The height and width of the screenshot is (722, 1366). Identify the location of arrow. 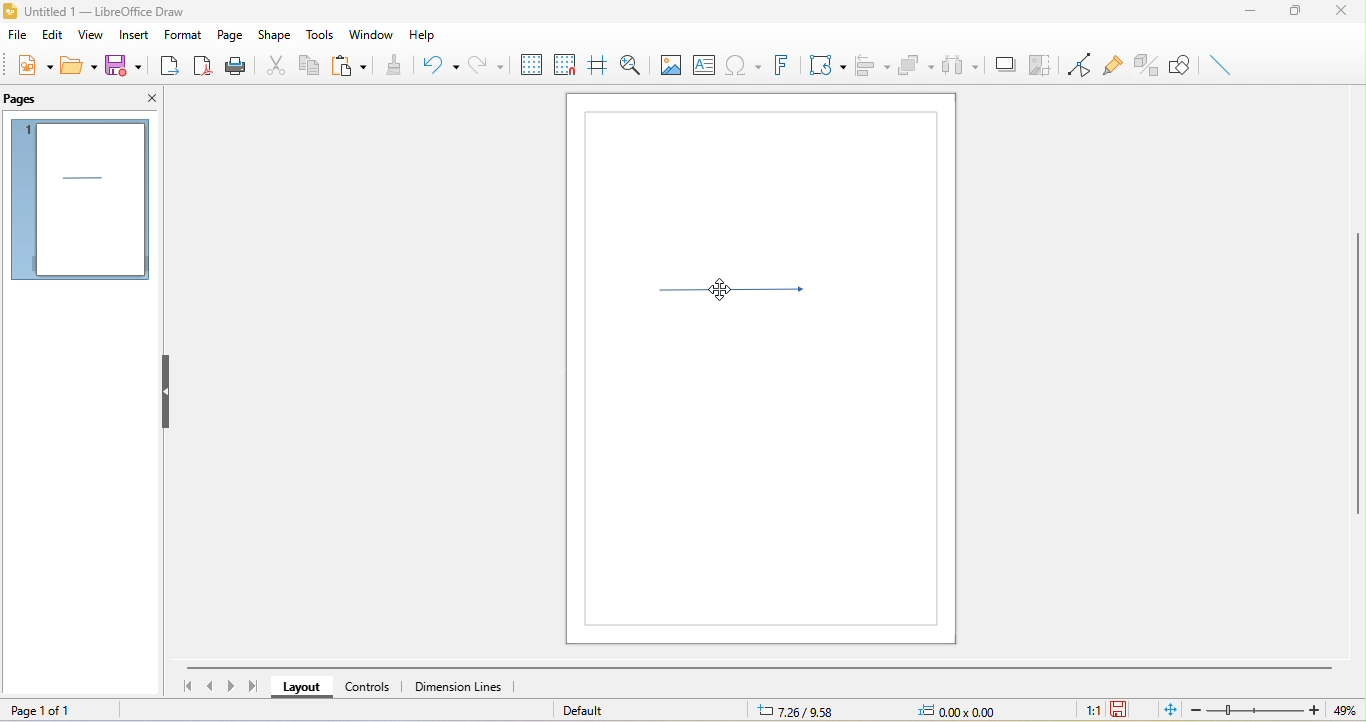
(743, 296).